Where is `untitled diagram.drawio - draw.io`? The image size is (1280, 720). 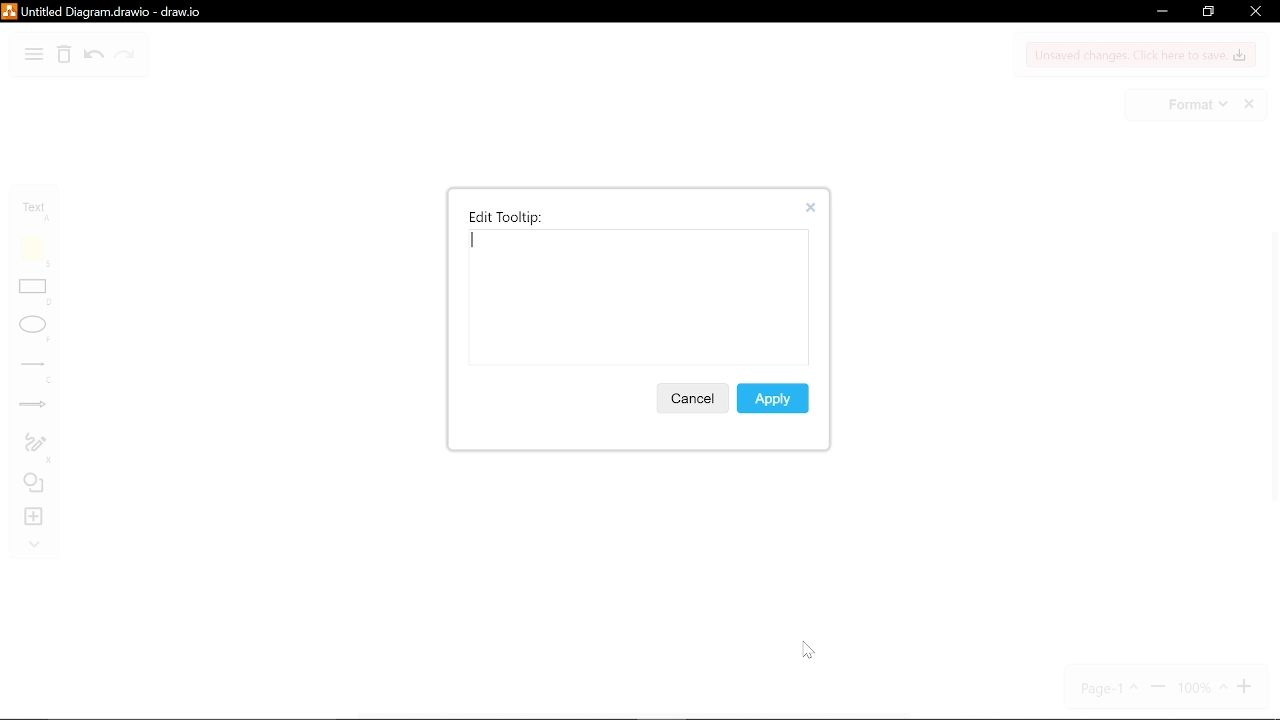 untitled diagram.drawio - draw.io is located at coordinates (117, 11).